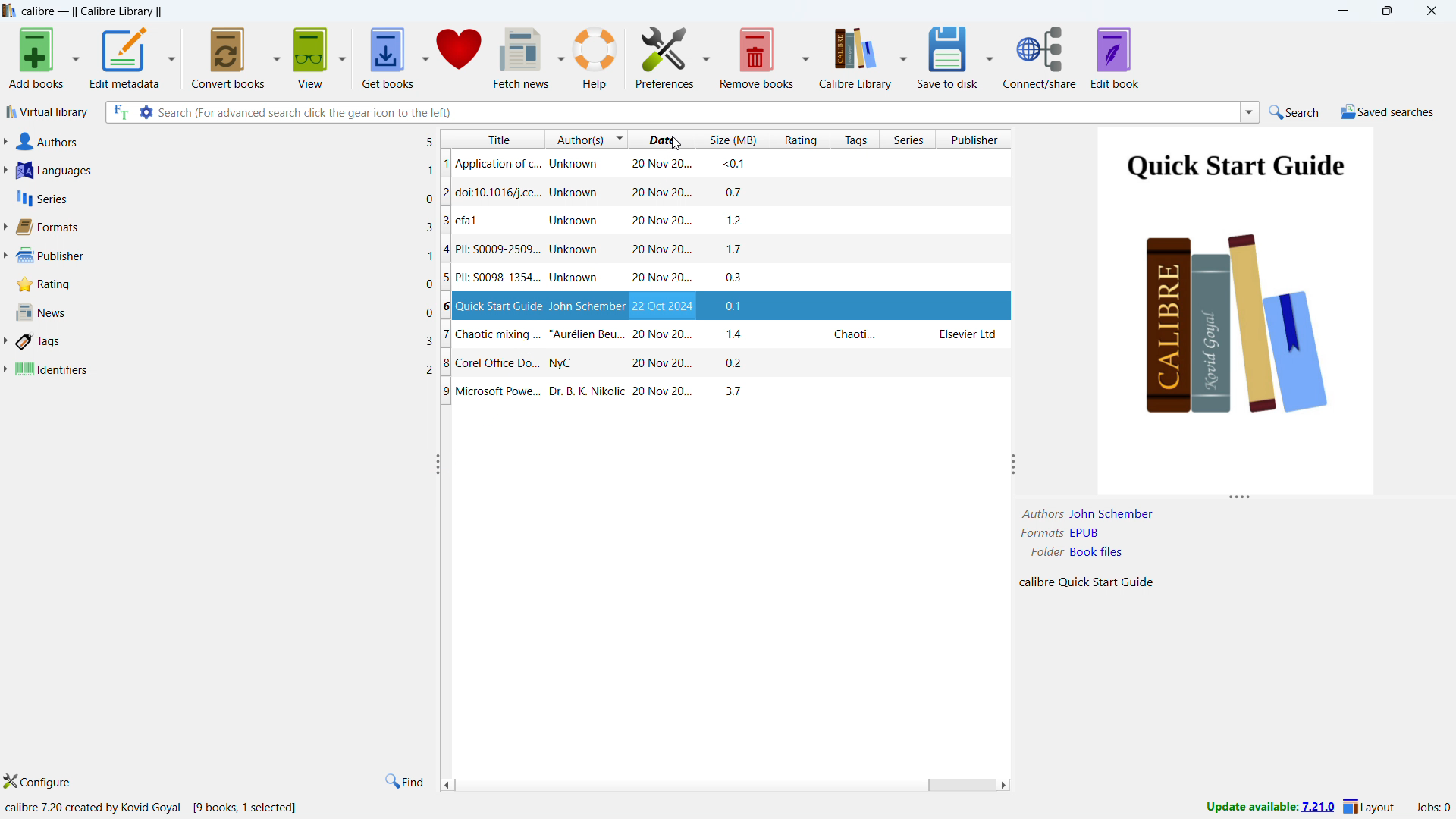 Image resolution: width=1456 pixels, height=819 pixels. What do you see at coordinates (579, 193) in the screenshot?
I see `Unknown` at bounding box center [579, 193].